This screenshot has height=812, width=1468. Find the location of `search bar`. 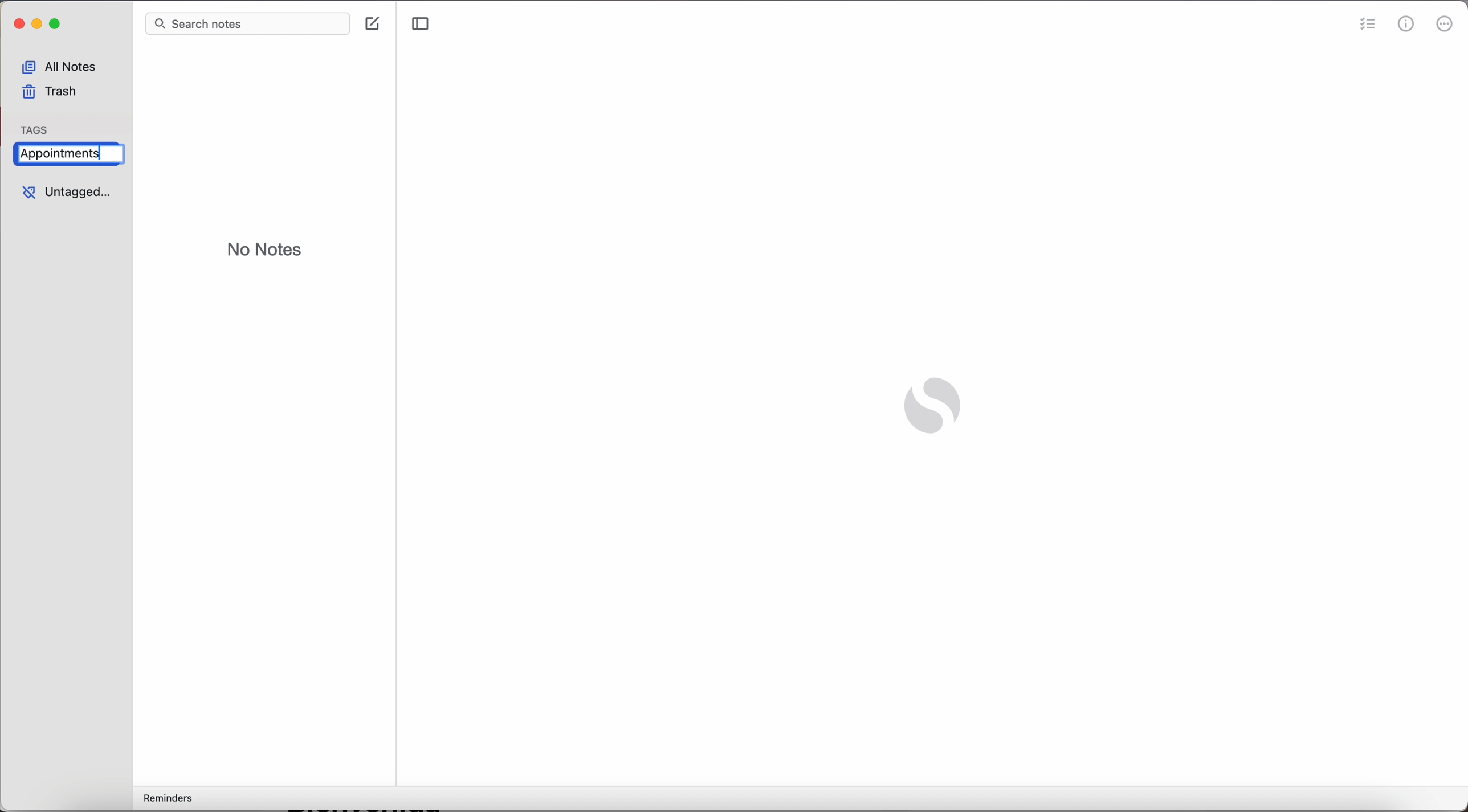

search bar is located at coordinates (250, 25).